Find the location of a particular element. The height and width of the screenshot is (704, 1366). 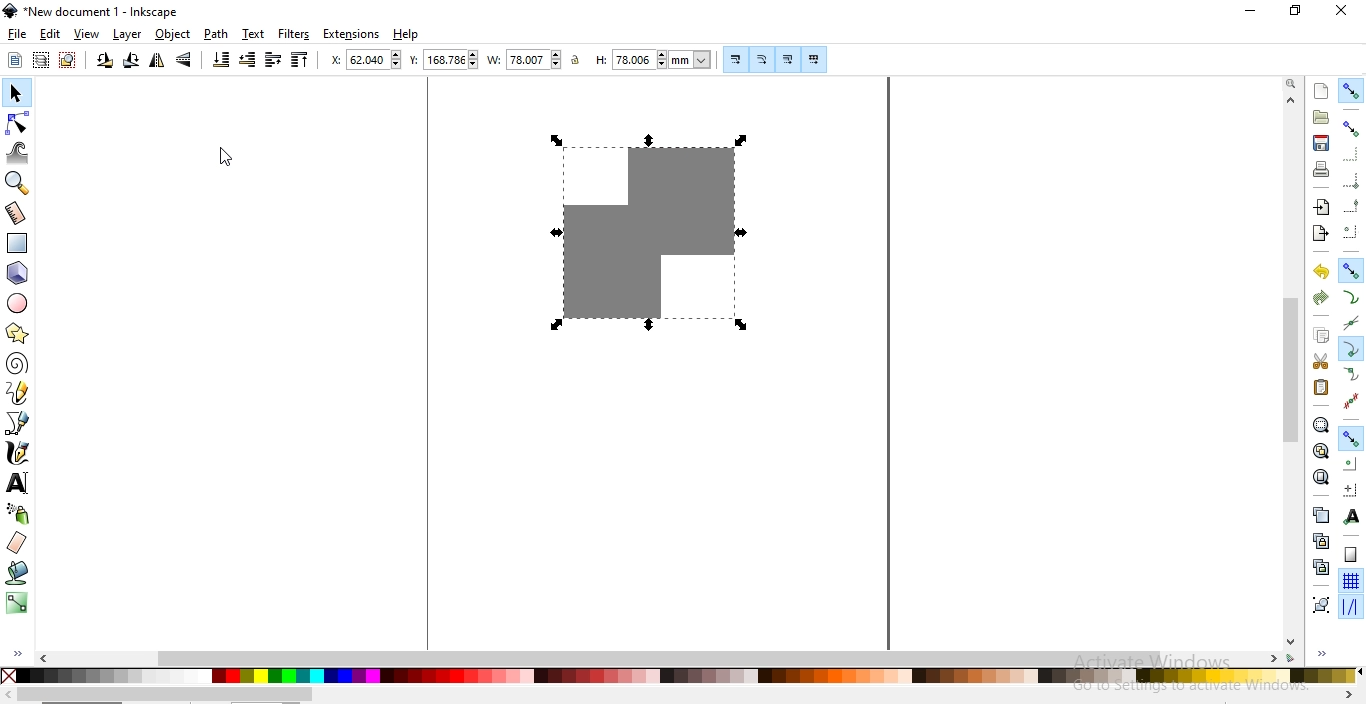

snap midpoints of bounding box edges is located at coordinates (1352, 206).